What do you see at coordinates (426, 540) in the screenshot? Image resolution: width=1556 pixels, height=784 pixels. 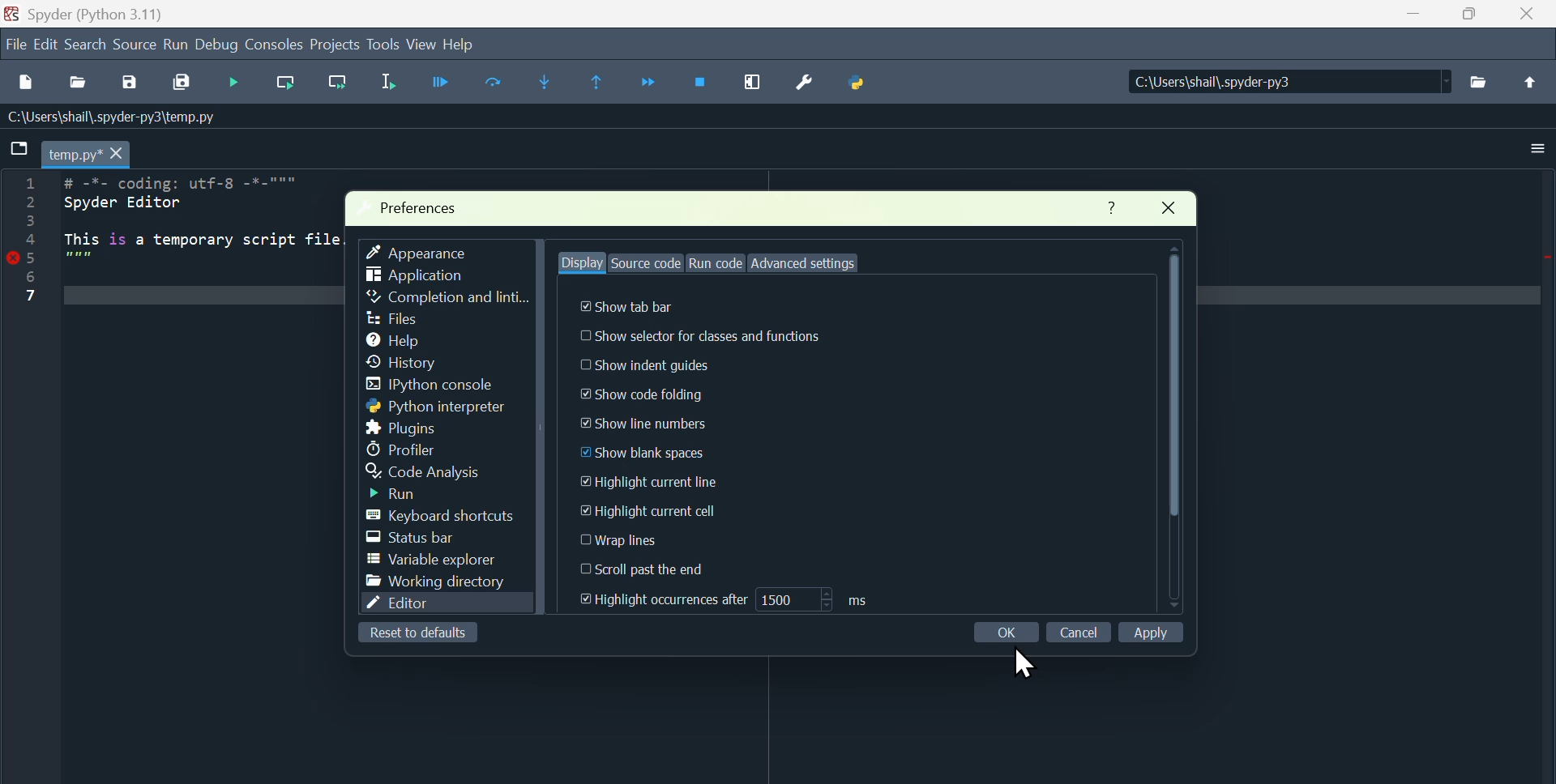 I see `Status bar` at bounding box center [426, 540].